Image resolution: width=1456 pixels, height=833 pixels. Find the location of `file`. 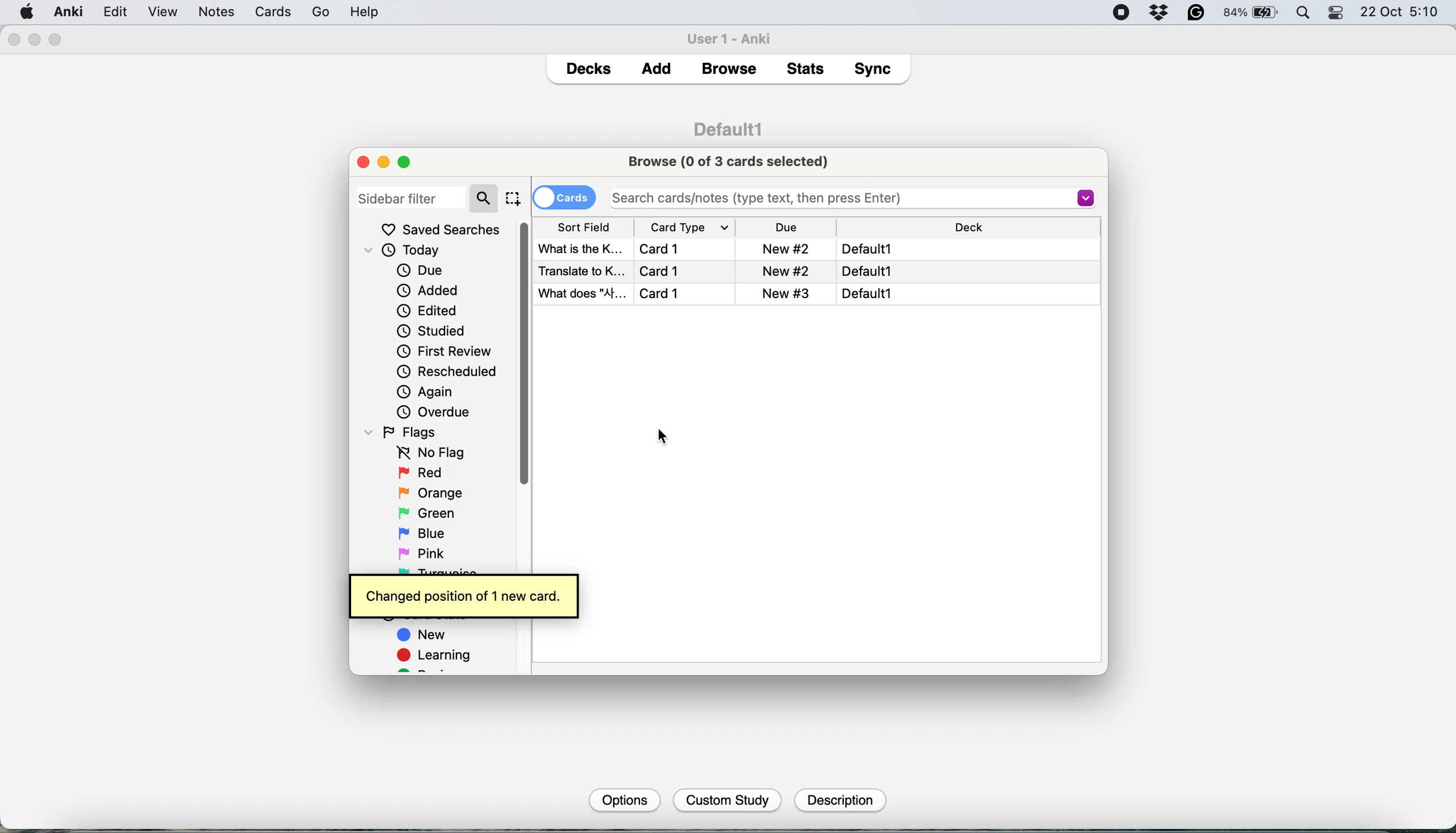

file is located at coordinates (114, 12).